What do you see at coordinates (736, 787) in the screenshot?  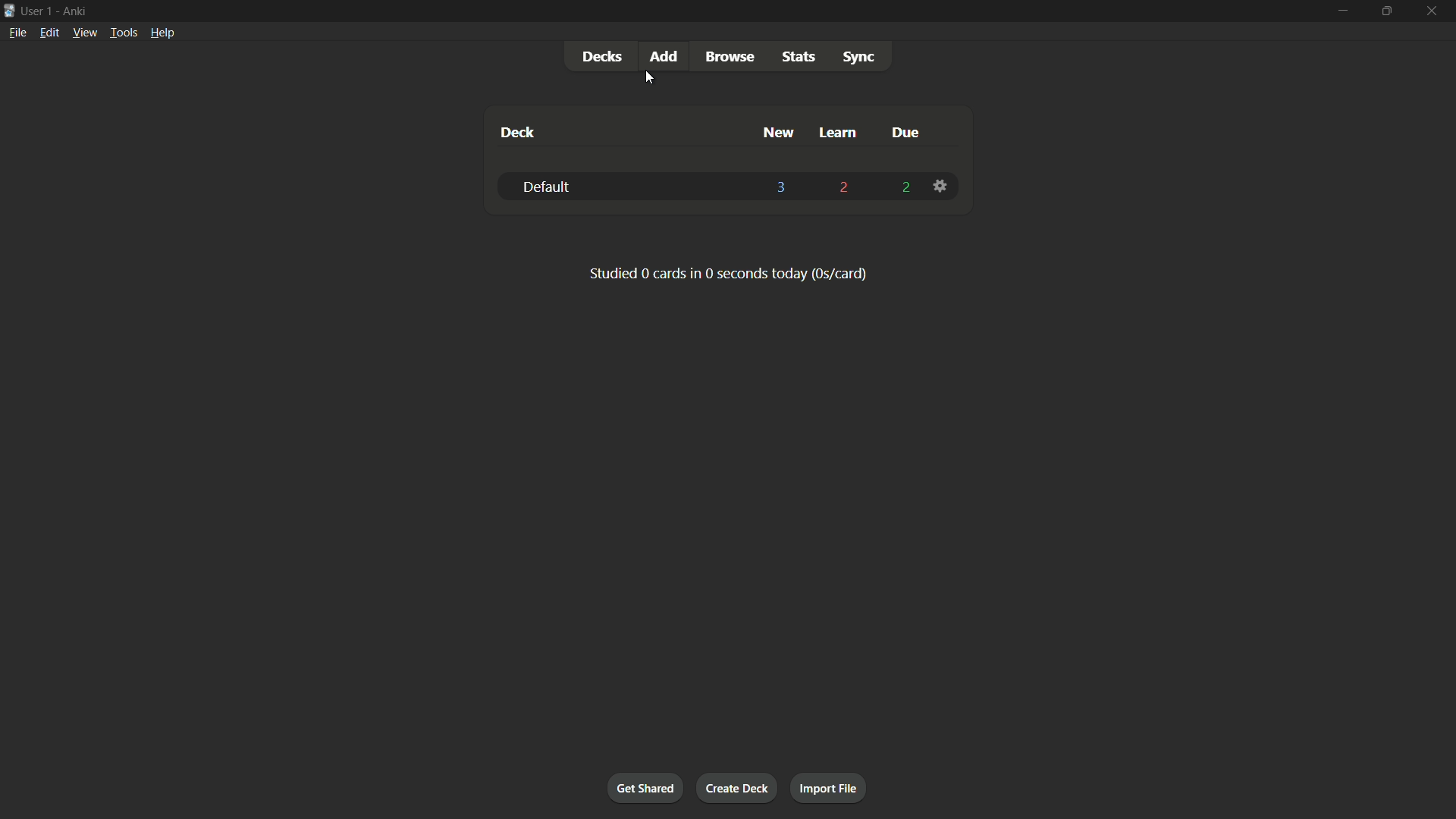 I see `create deck` at bounding box center [736, 787].